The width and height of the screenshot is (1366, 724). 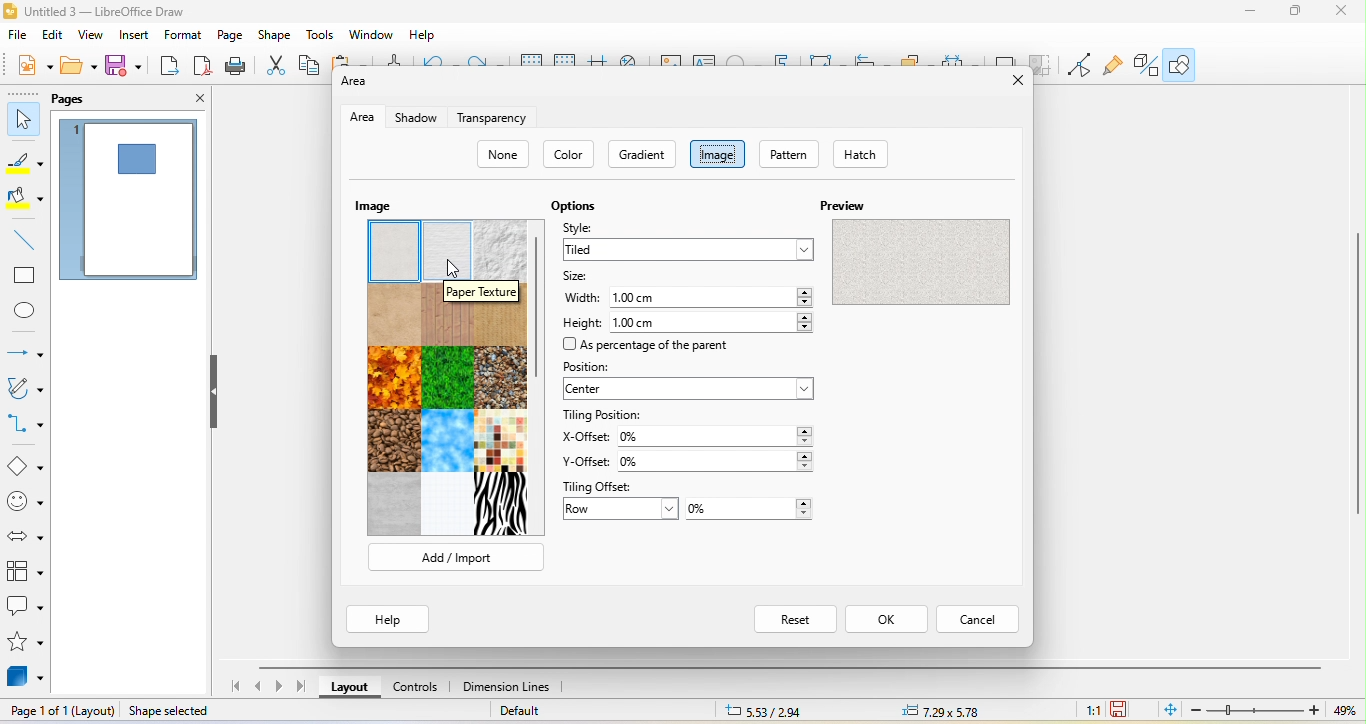 What do you see at coordinates (1116, 65) in the screenshot?
I see `gluepoint function` at bounding box center [1116, 65].